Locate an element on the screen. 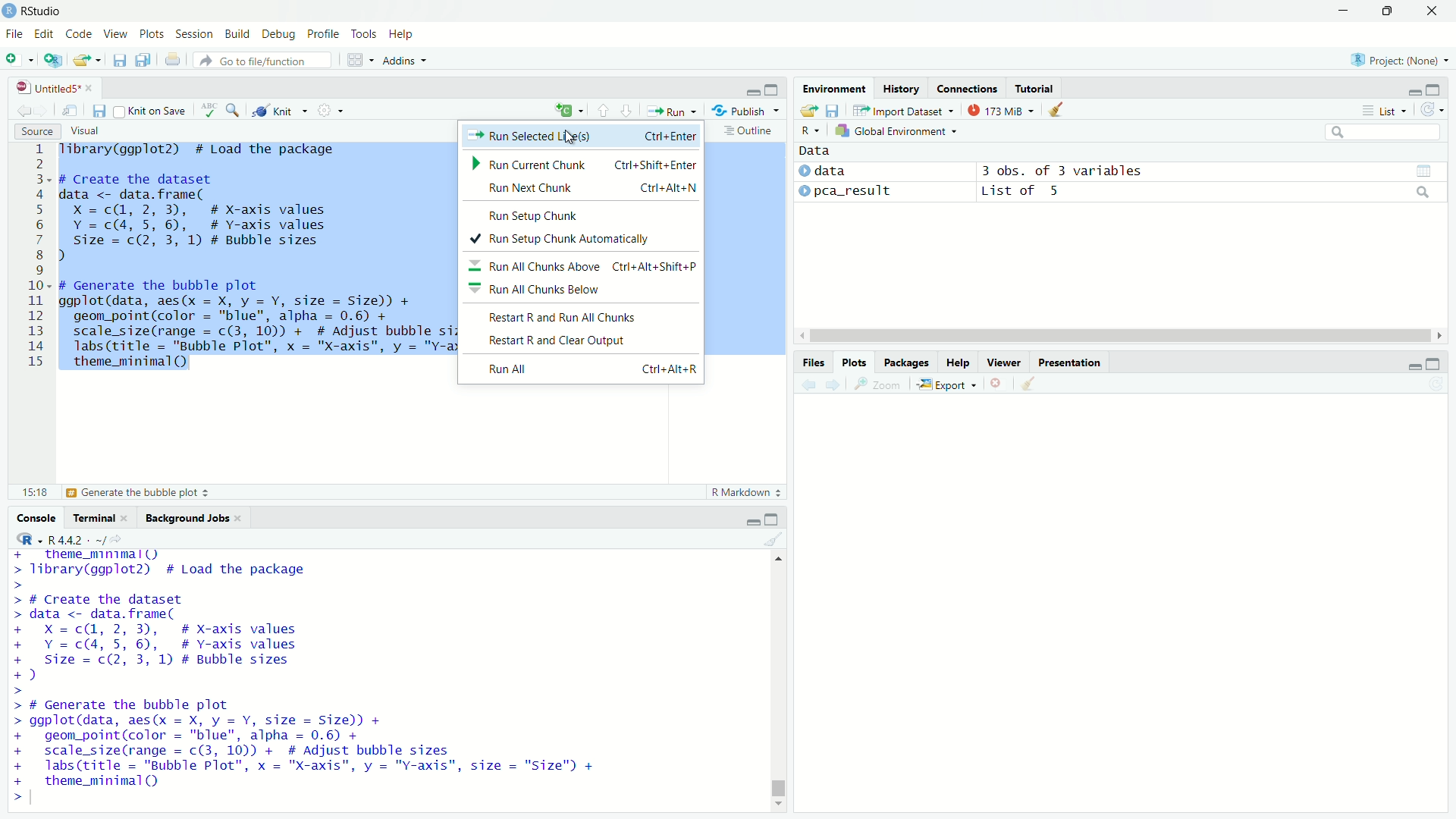 The image size is (1456, 819). minimize is located at coordinates (1415, 362).